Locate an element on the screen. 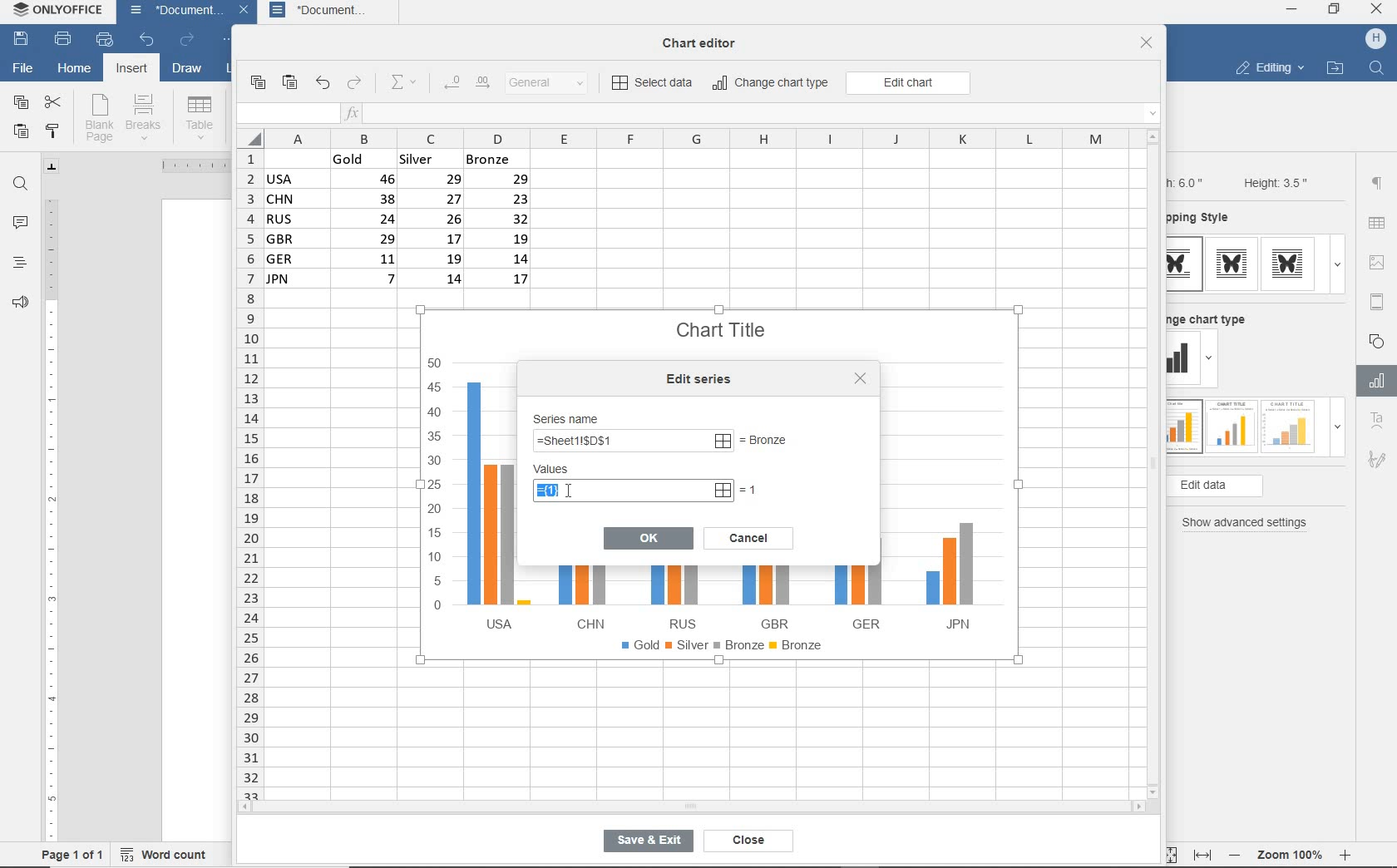  paragraph settings is located at coordinates (1377, 183).